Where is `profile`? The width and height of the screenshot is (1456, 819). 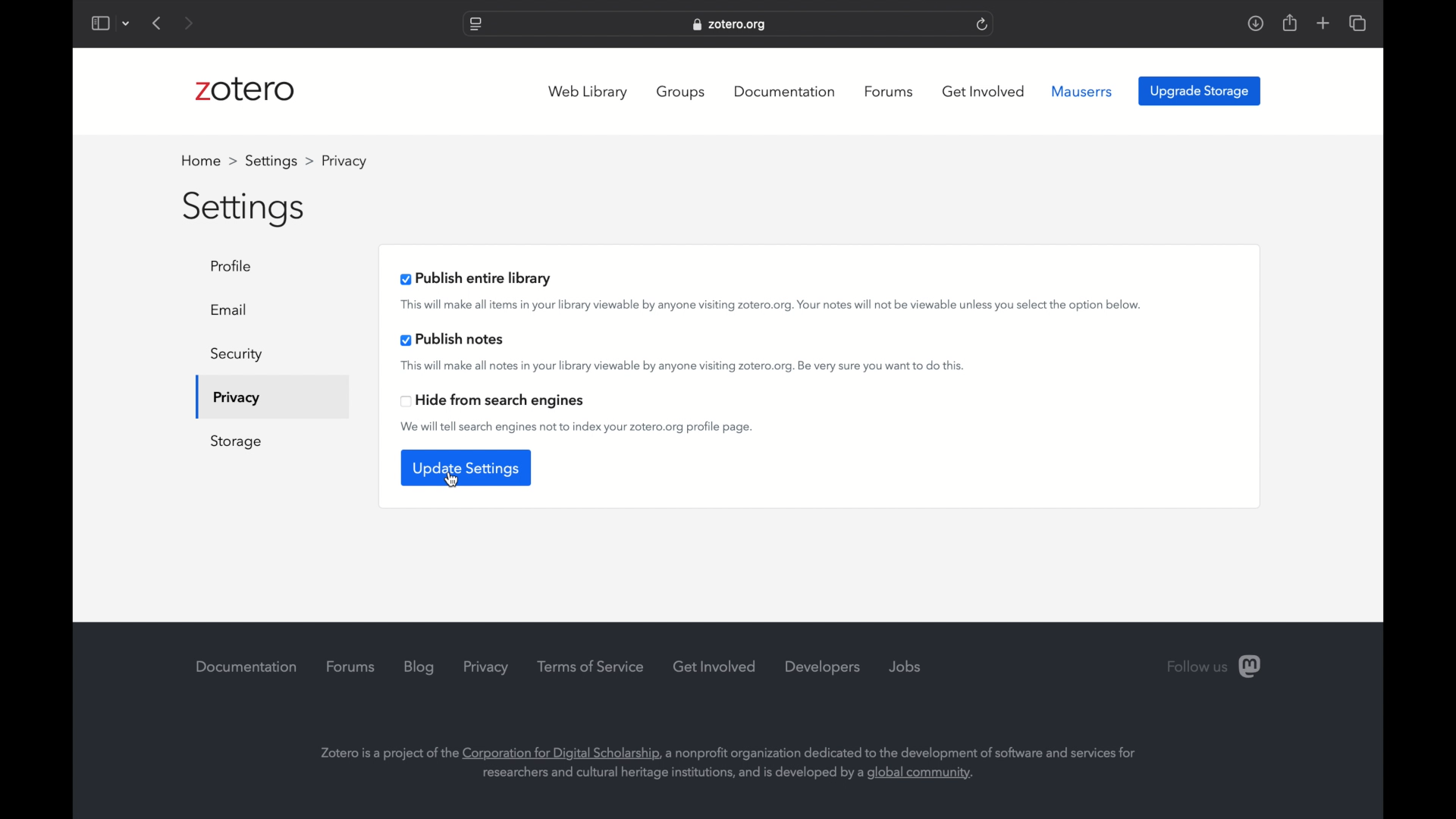
profile is located at coordinates (342, 161).